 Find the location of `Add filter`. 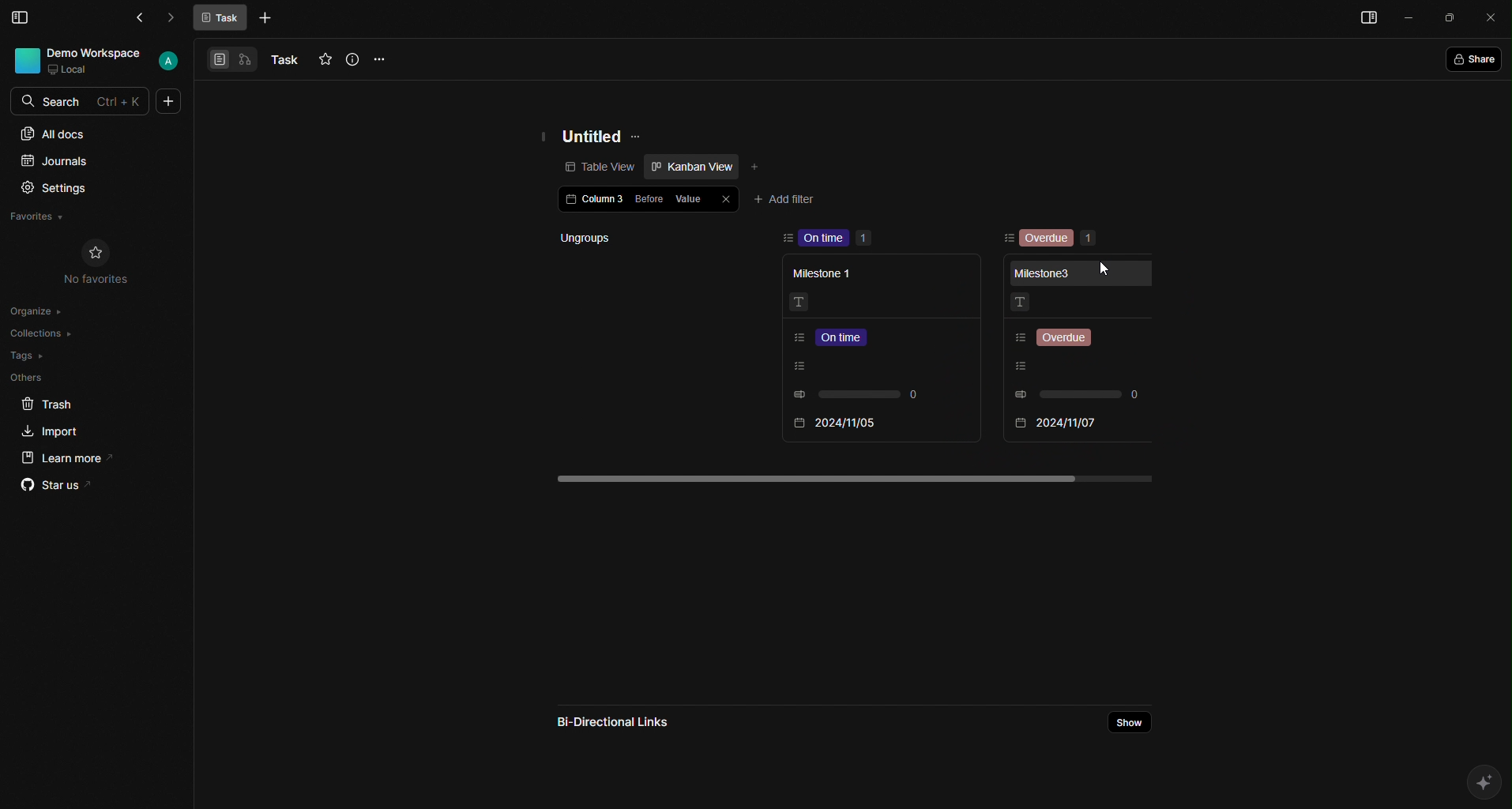

Add filter is located at coordinates (784, 197).